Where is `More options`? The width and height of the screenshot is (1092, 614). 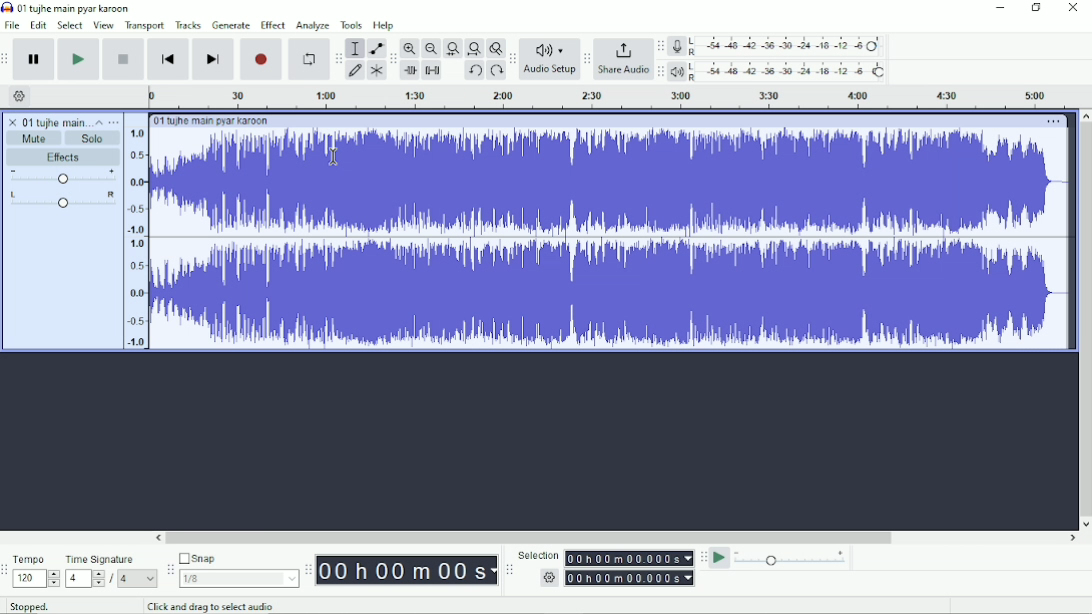 More options is located at coordinates (1052, 121).